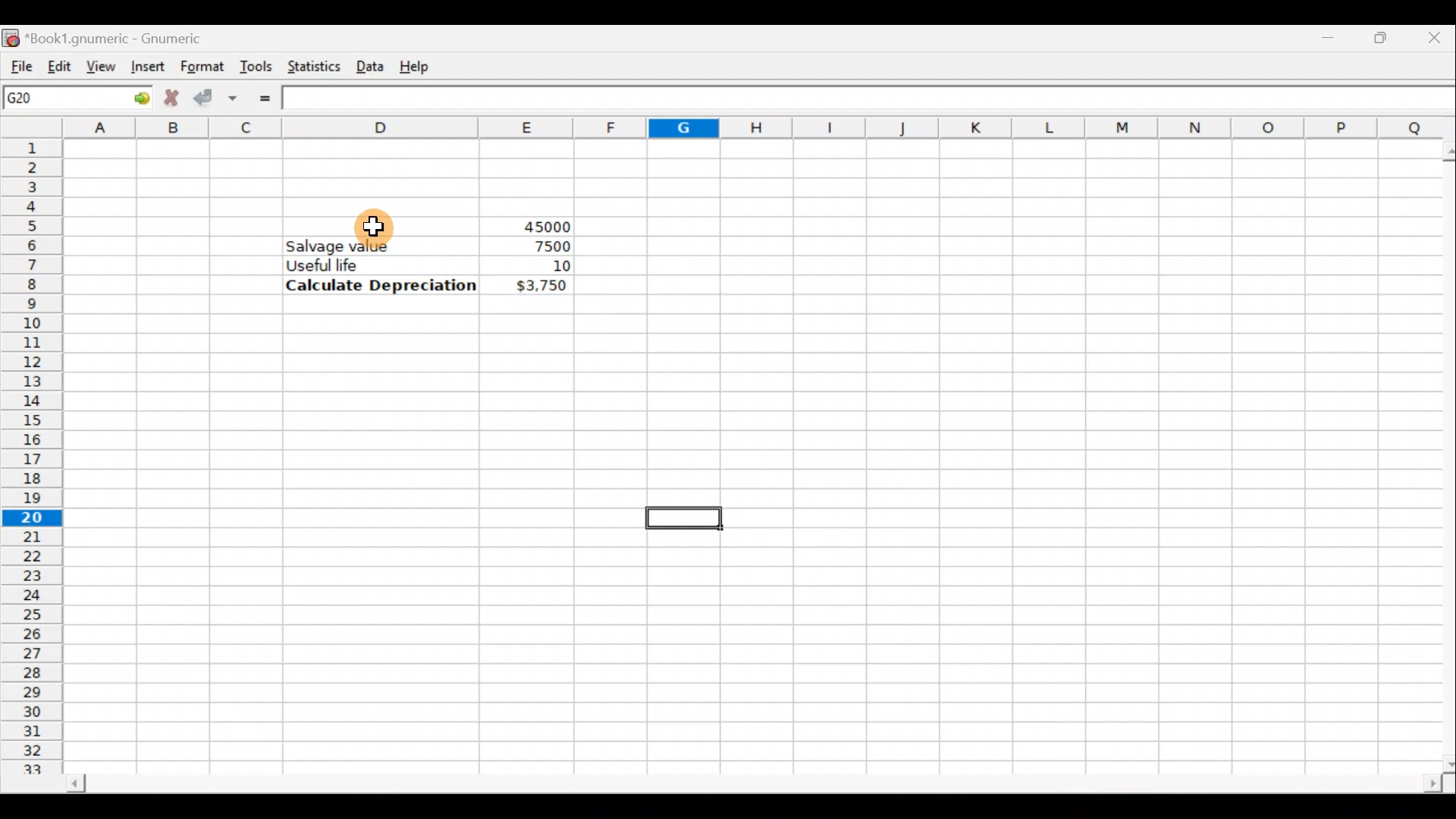 The height and width of the screenshot is (819, 1456). Describe the element at coordinates (528, 245) in the screenshot. I see `7500` at that location.